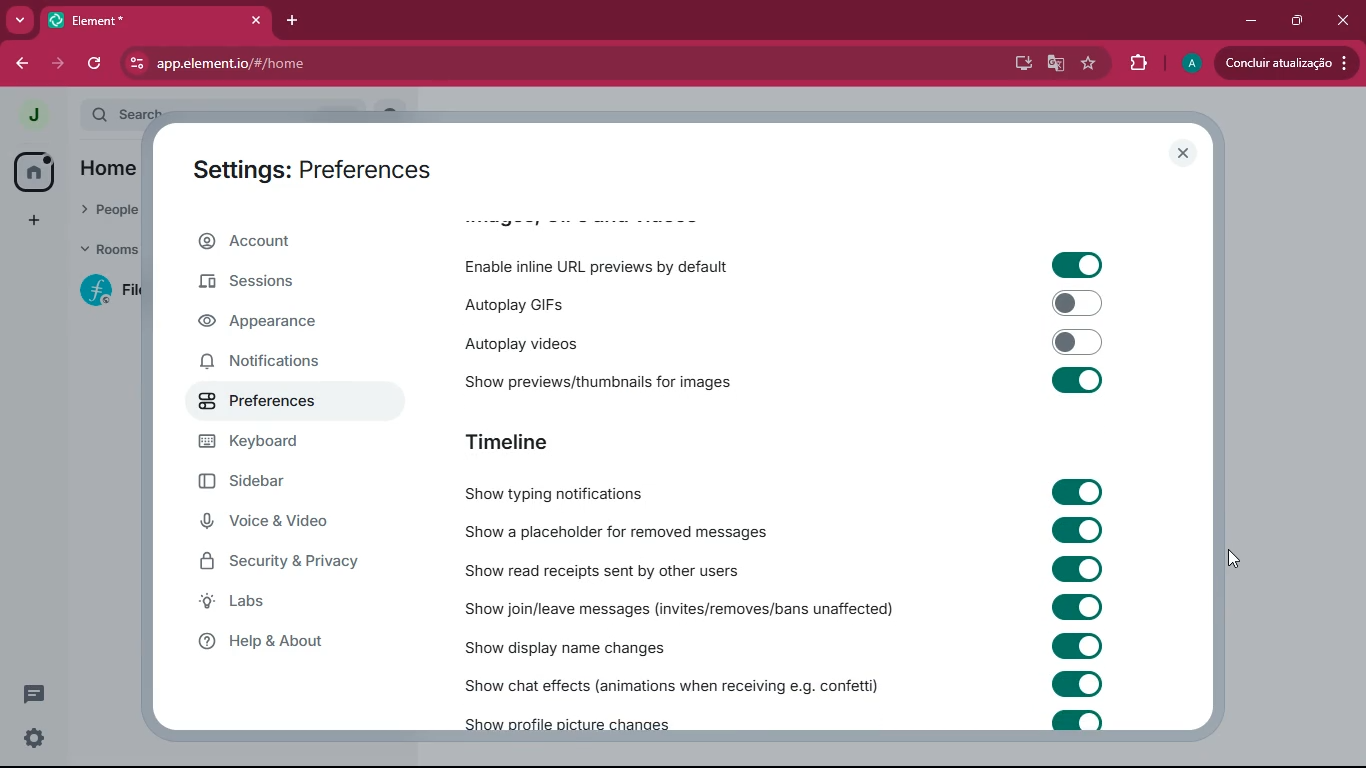 The image size is (1366, 768). What do you see at coordinates (272, 606) in the screenshot?
I see `labs` at bounding box center [272, 606].